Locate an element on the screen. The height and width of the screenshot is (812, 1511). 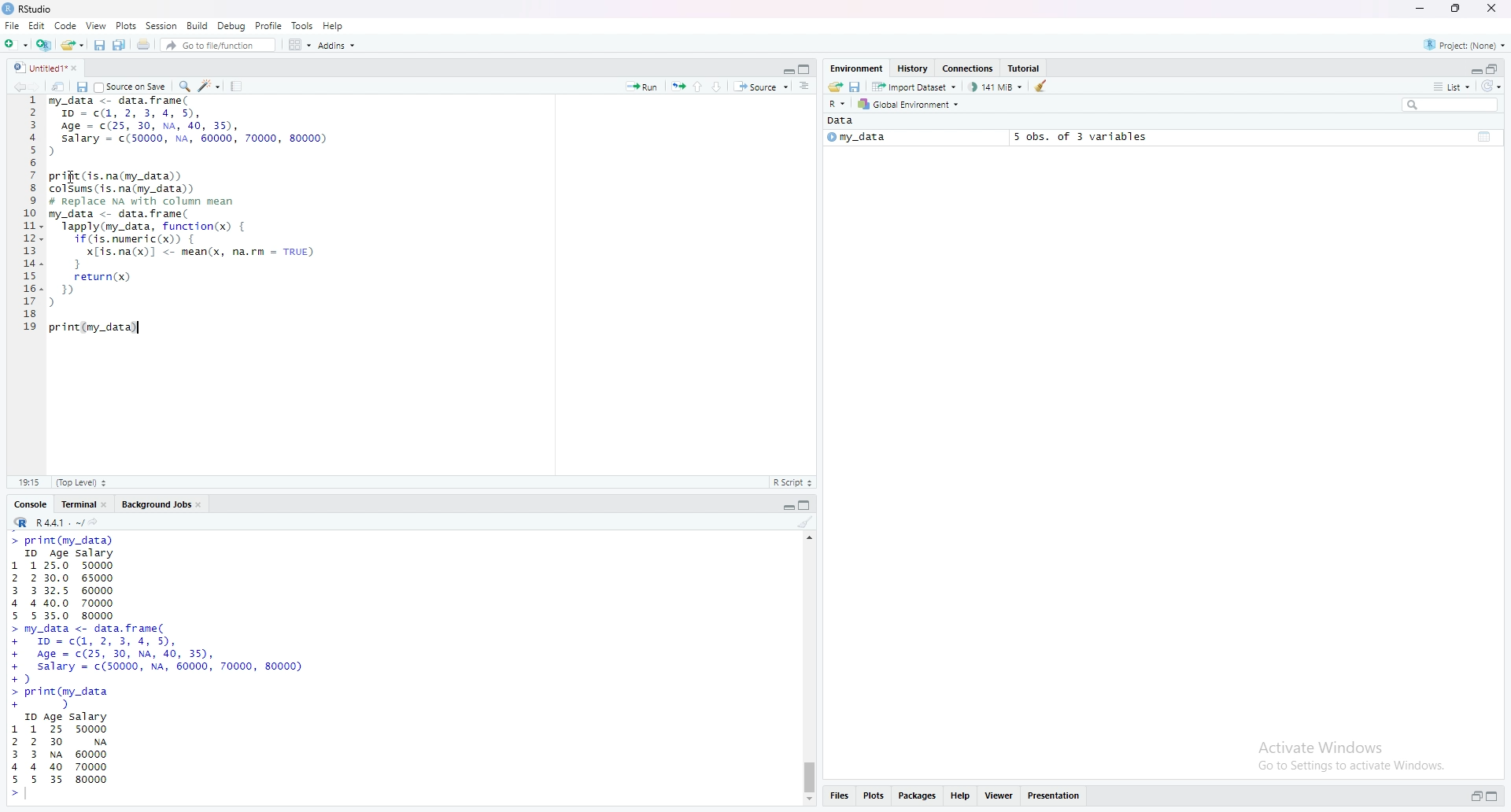
collapse is located at coordinates (1485, 135).